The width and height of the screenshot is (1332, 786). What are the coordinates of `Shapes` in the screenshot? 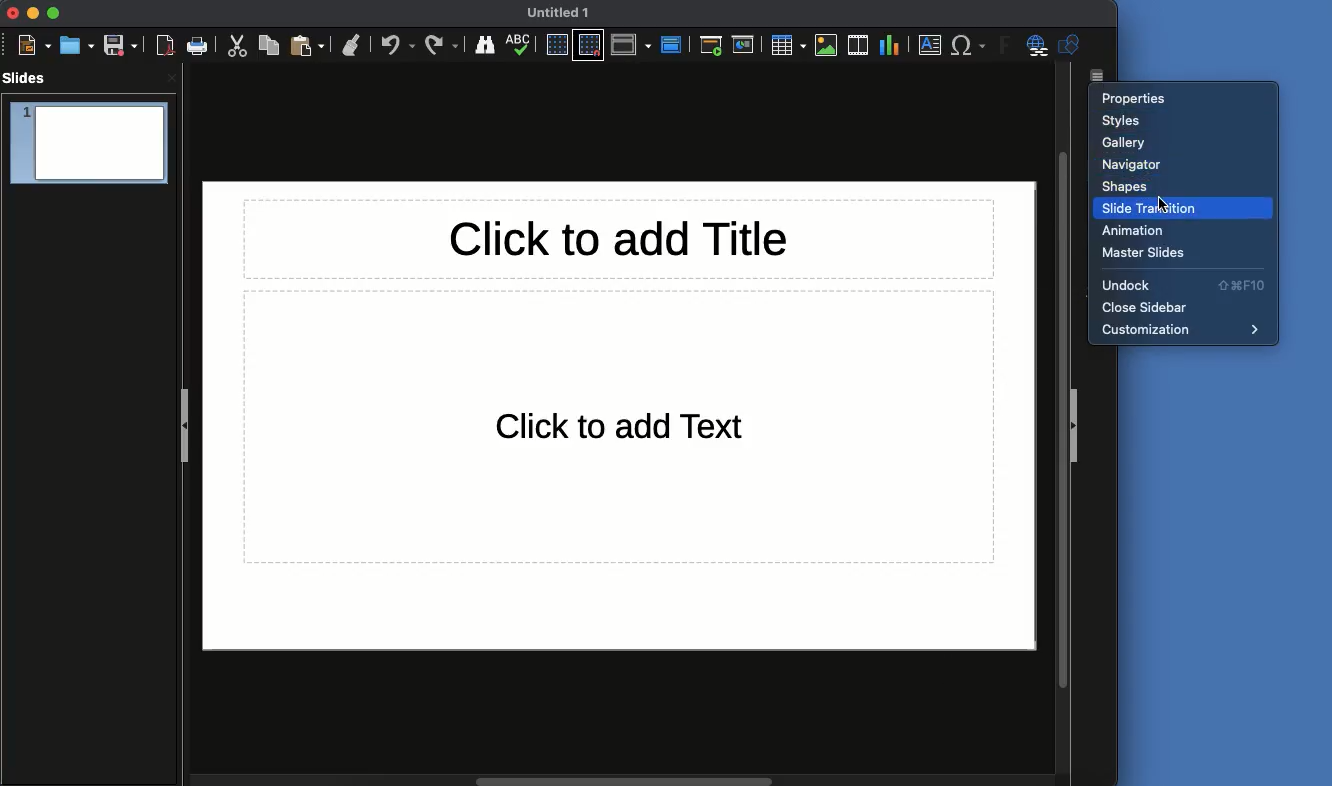 It's located at (1071, 44).